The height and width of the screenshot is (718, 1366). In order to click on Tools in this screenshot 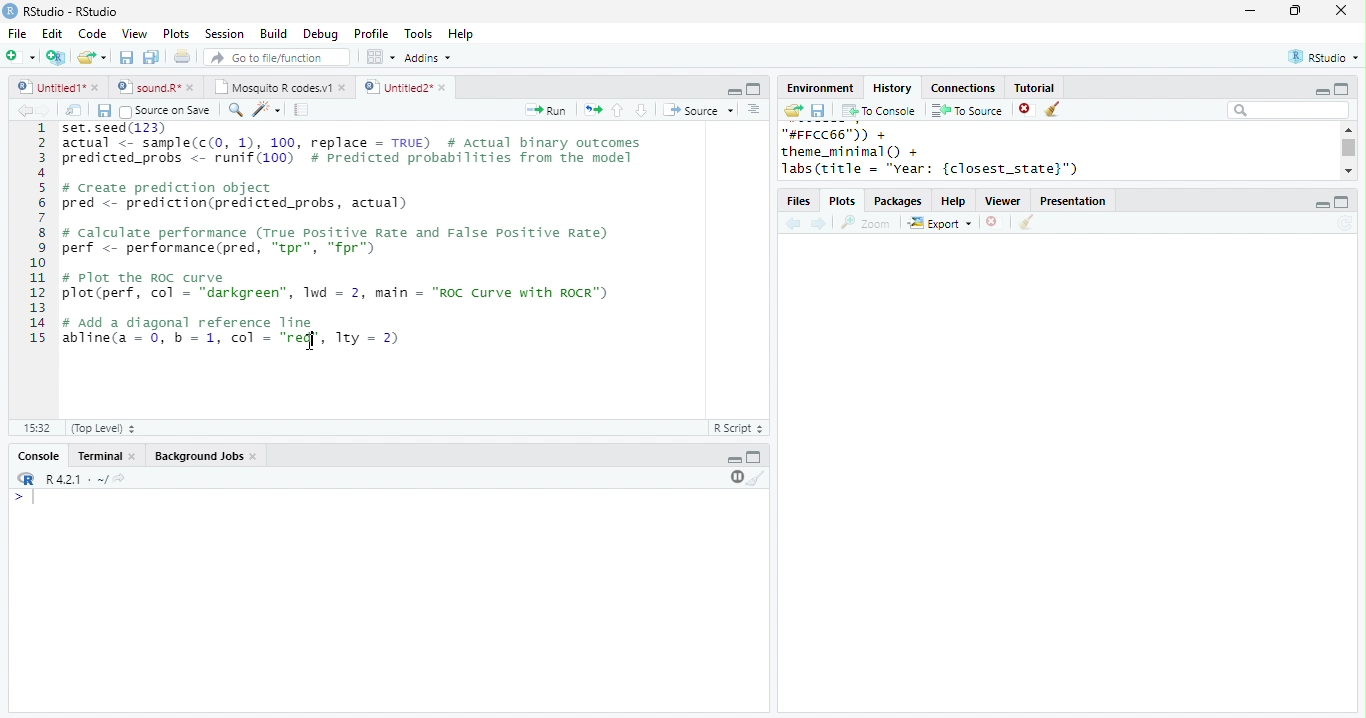, I will do `click(419, 34)`.